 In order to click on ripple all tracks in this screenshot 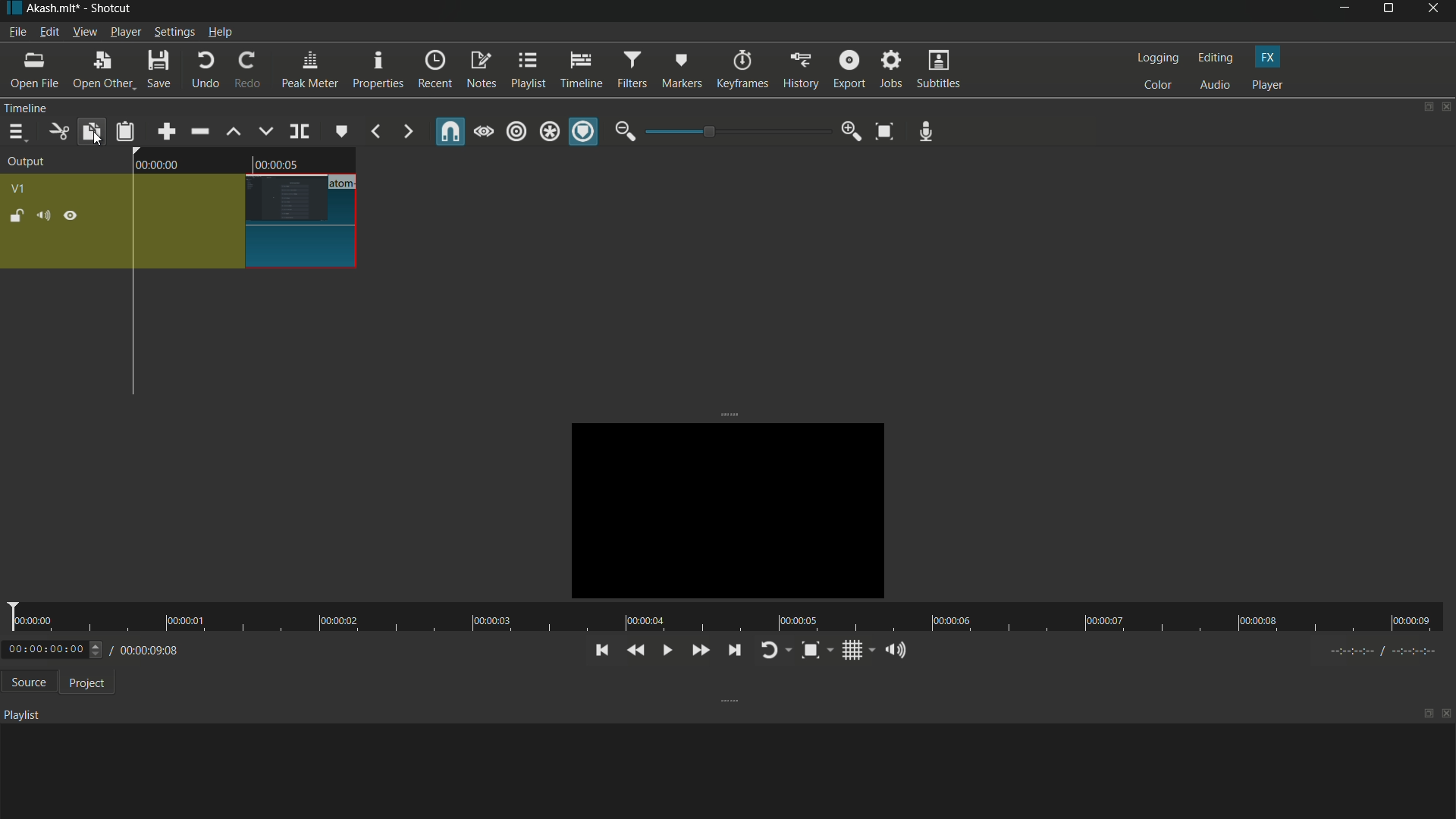, I will do `click(549, 133)`.